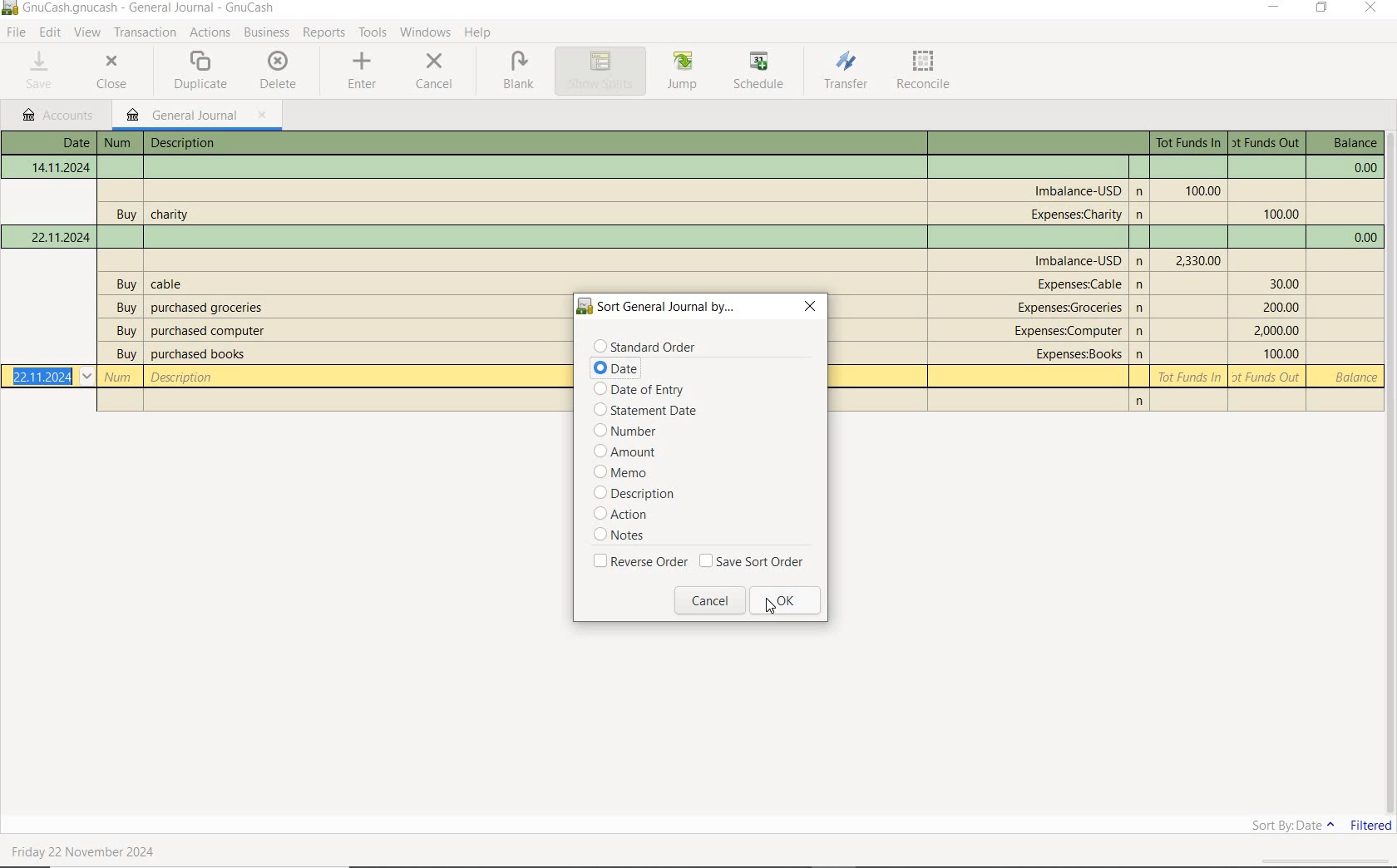 This screenshot has width=1397, height=868. What do you see at coordinates (127, 286) in the screenshot?
I see `buy` at bounding box center [127, 286].